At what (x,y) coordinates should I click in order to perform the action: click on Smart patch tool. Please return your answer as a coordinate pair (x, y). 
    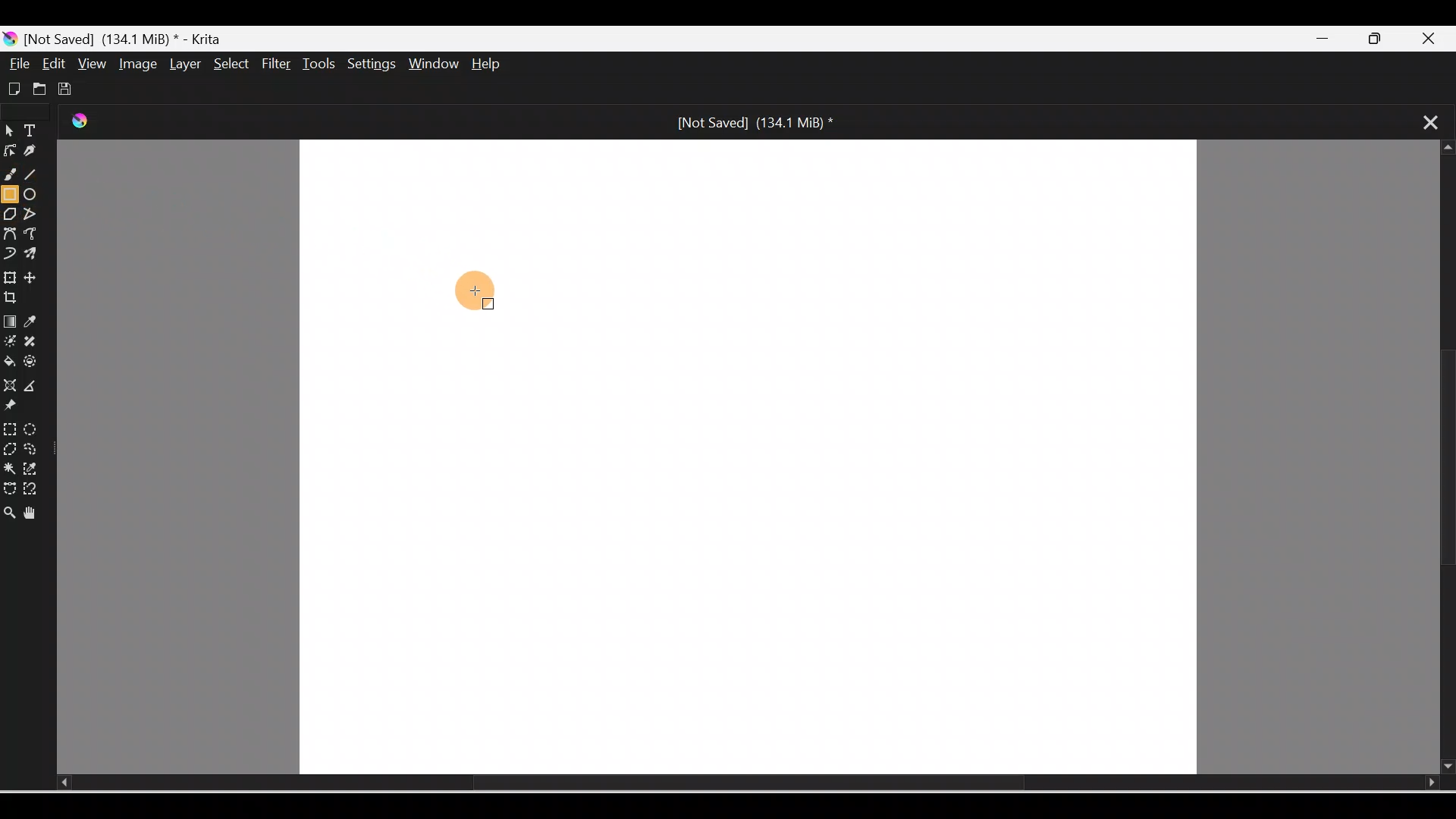
    Looking at the image, I should click on (37, 342).